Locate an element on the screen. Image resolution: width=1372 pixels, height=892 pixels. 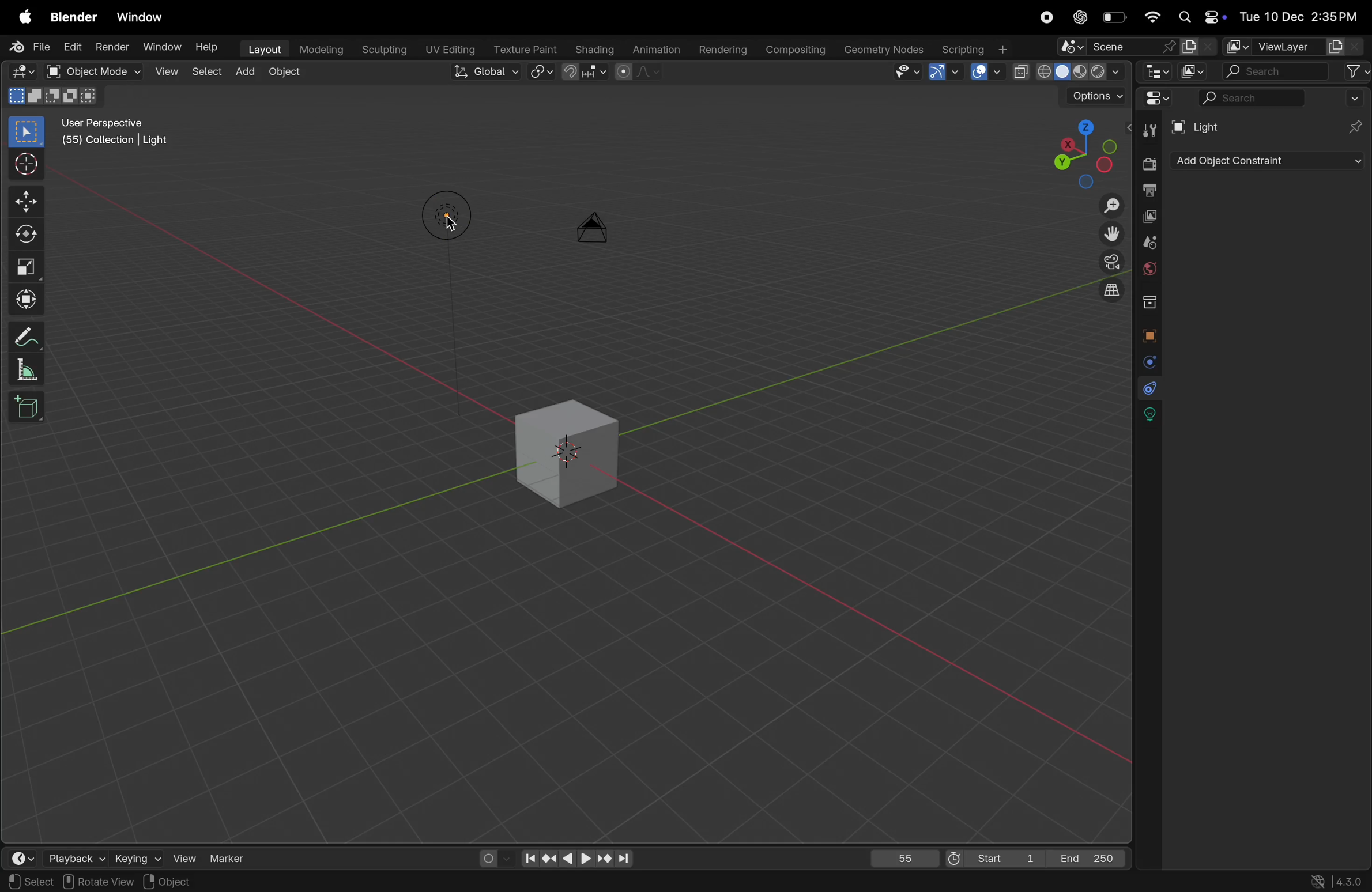
Texture paint is located at coordinates (525, 48).